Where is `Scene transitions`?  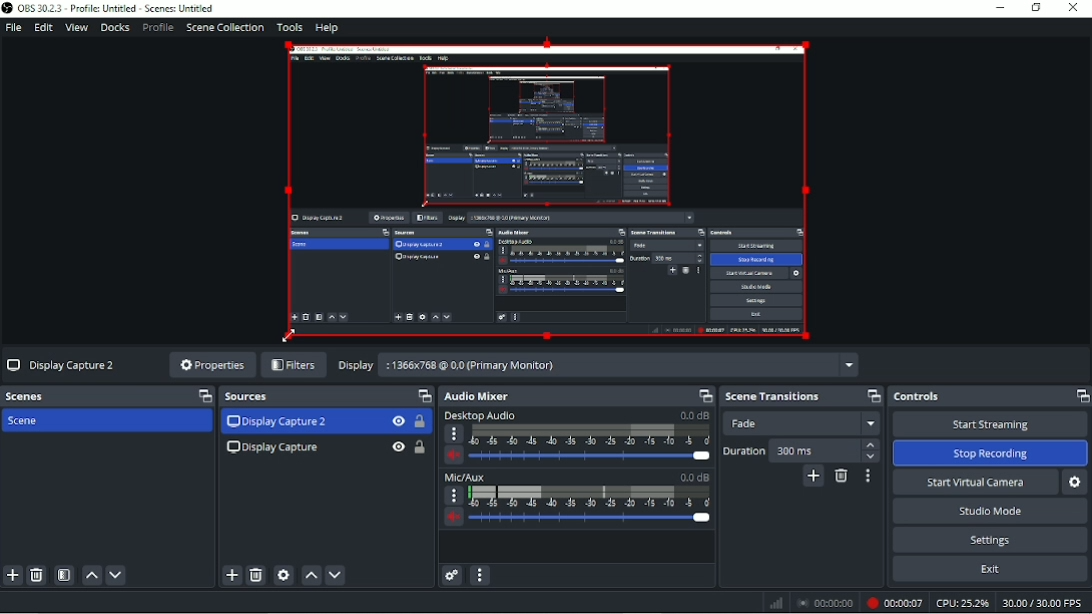 Scene transitions is located at coordinates (774, 397).